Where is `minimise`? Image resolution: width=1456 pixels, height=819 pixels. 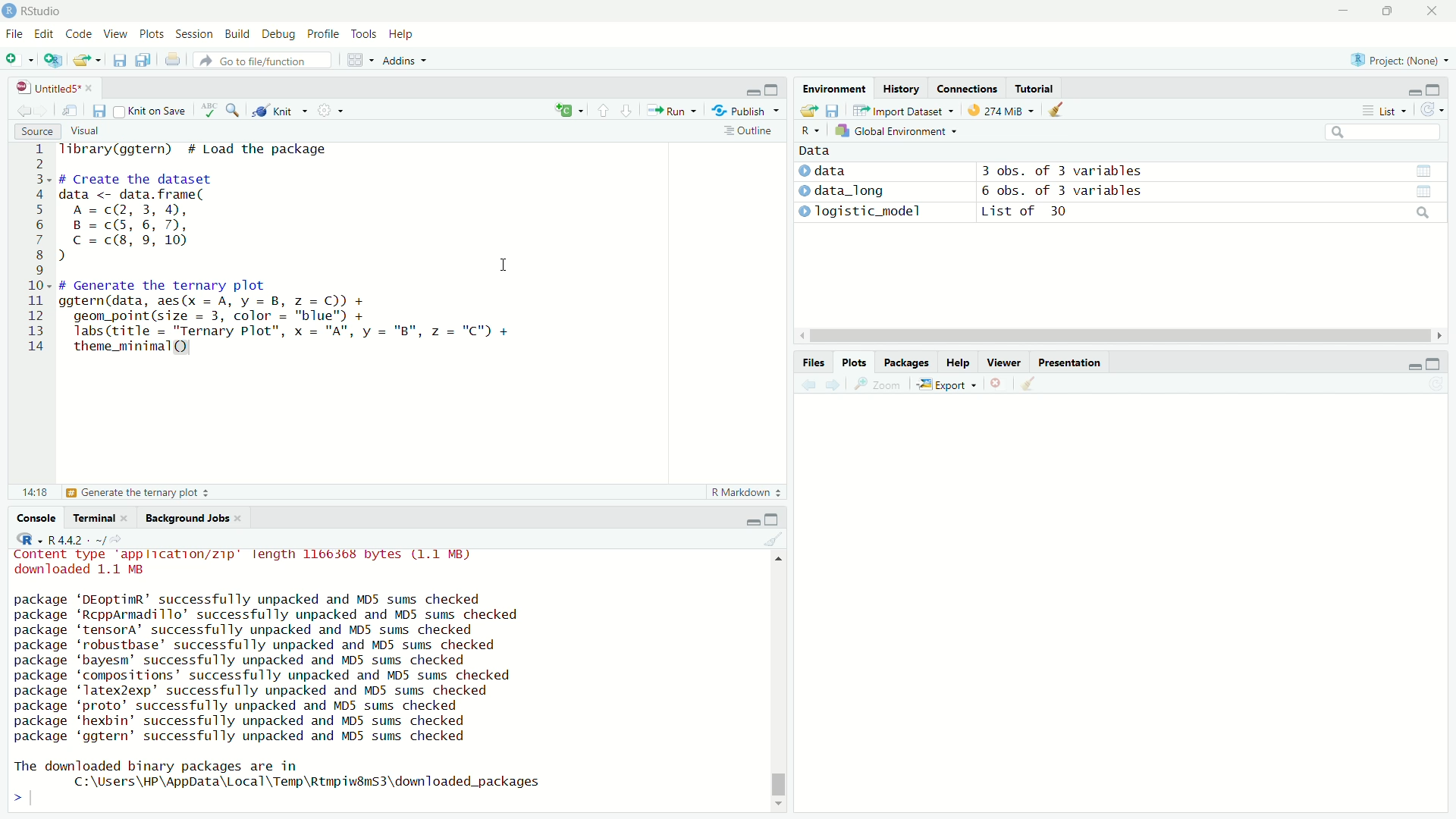
minimise is located at coordinates (1409, 366).